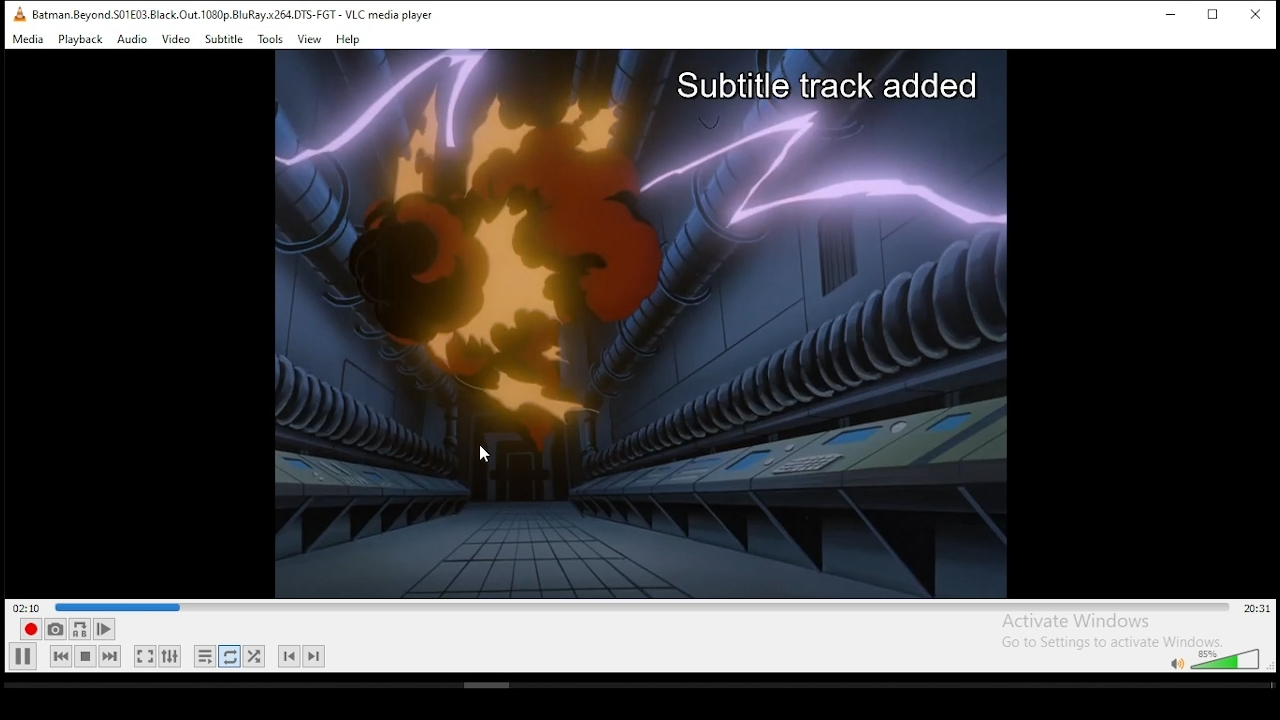 The image size is (1280, 720). What do you see at coordinates (1228, 658) in the screenshot?
I see `volume` at bounding box center [1228, 658].